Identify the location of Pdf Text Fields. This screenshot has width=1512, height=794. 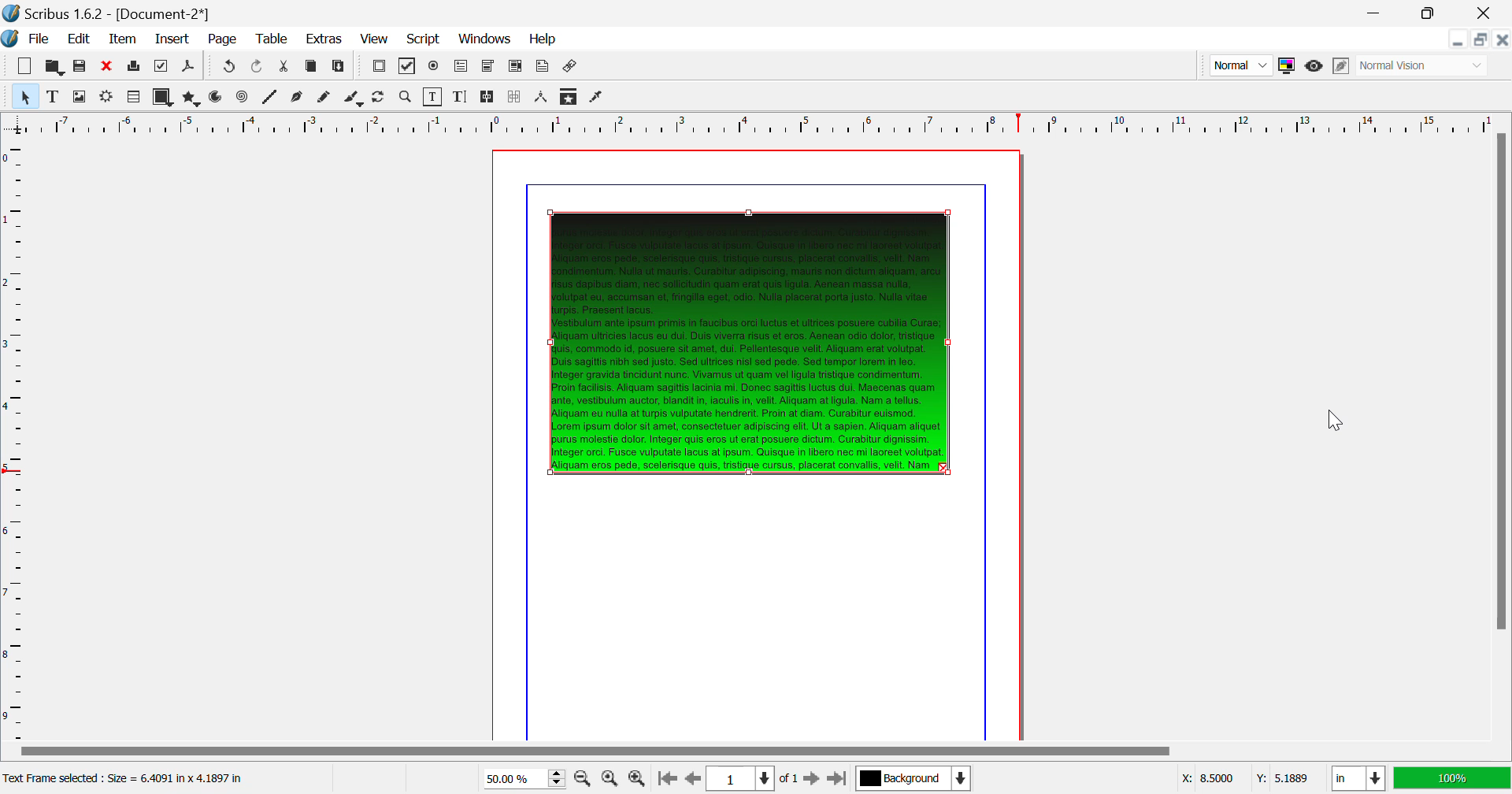
(461, 67).